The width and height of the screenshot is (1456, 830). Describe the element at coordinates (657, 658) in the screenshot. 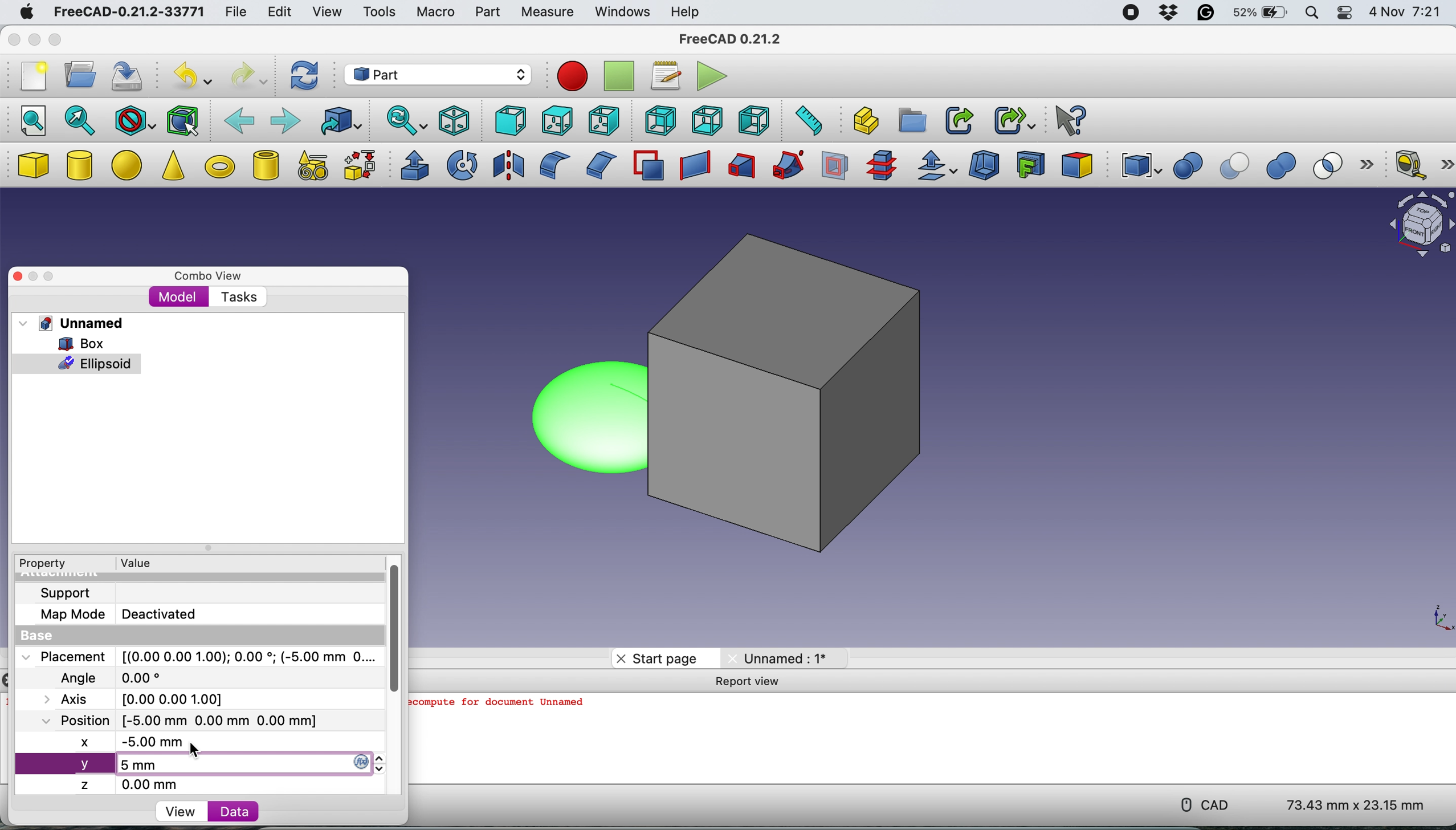

I see `start page` at that location.